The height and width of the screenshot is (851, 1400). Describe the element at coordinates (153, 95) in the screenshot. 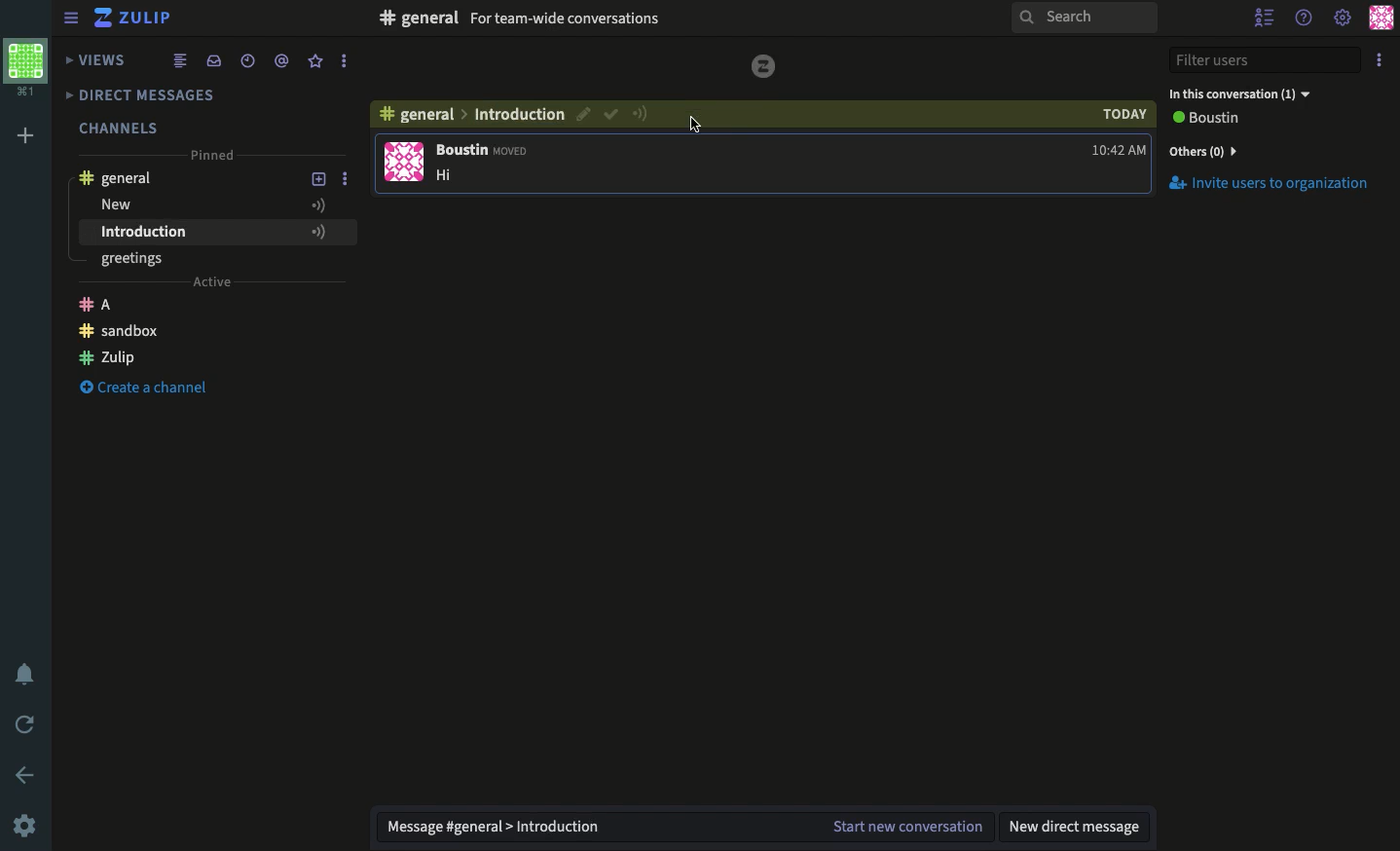

I see `DMs` at that location.